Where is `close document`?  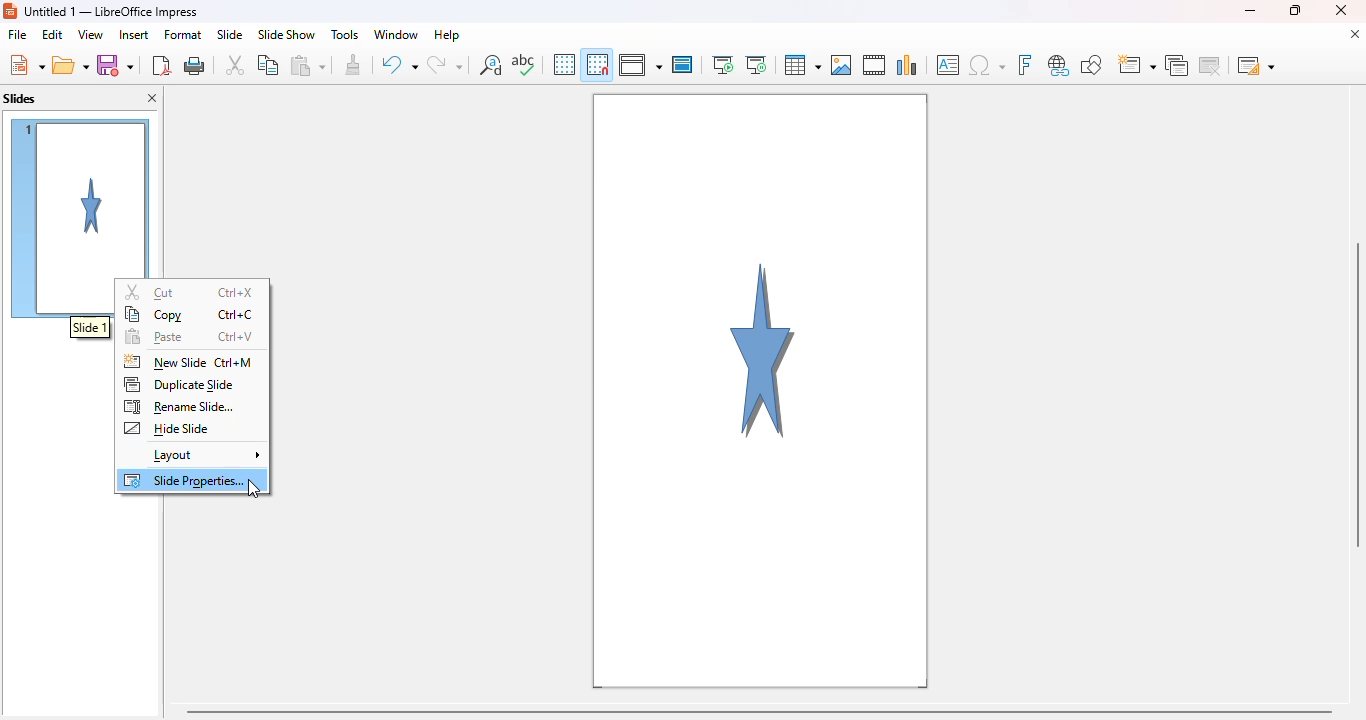 close document is located at coordinates (1355, 34).